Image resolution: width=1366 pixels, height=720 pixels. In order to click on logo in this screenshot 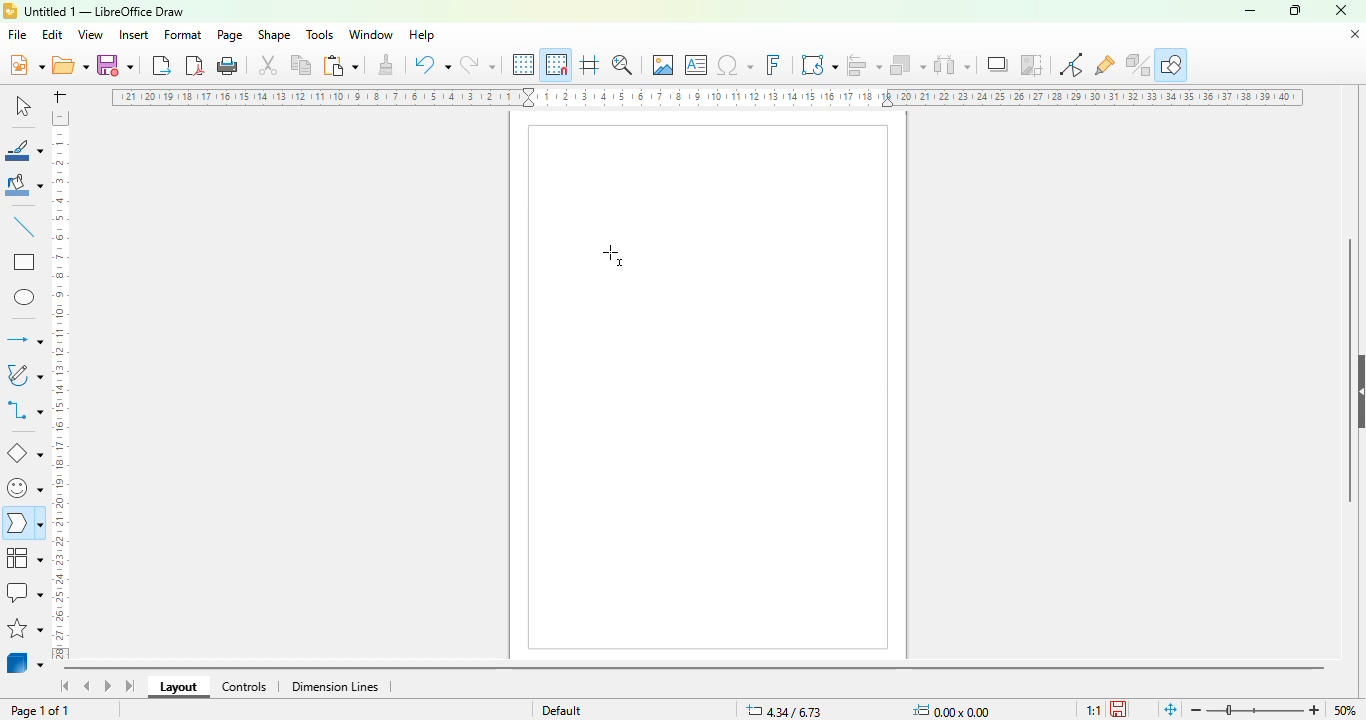, I will do `click(10, 11)`.